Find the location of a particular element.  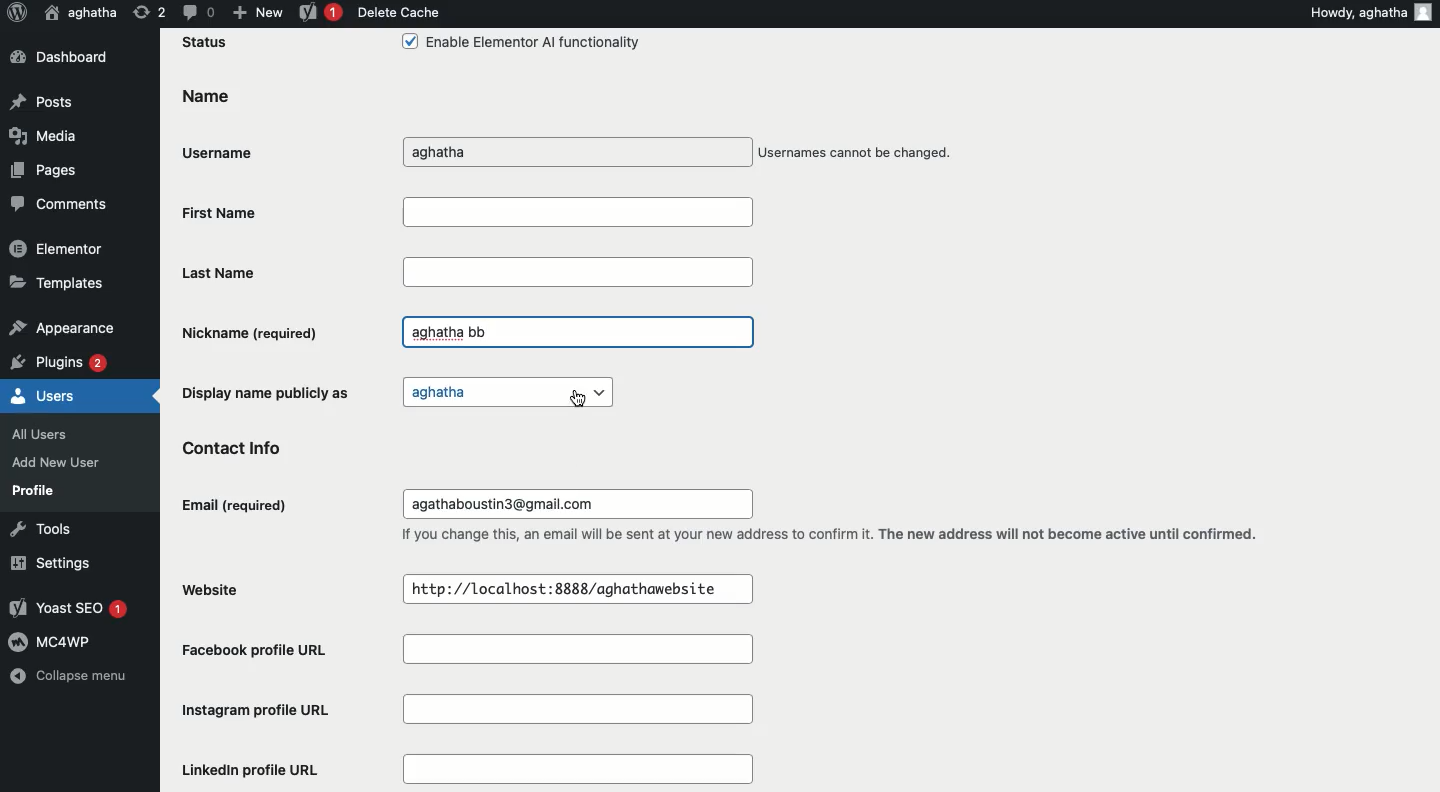

agathaboustin3@gmail.com is located at coordinates (510, 503).